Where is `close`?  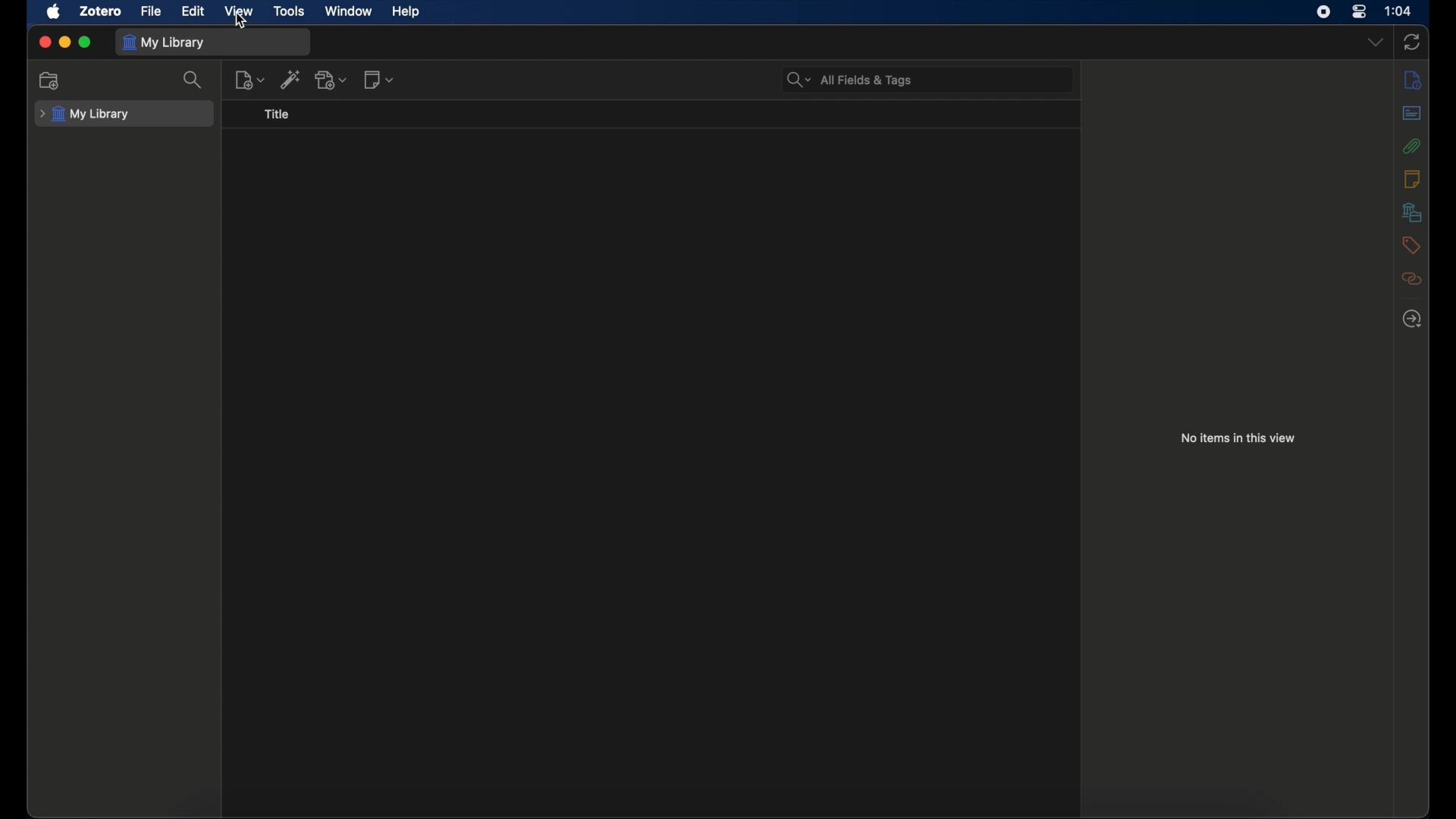
close is located at coordinates (46, 43).